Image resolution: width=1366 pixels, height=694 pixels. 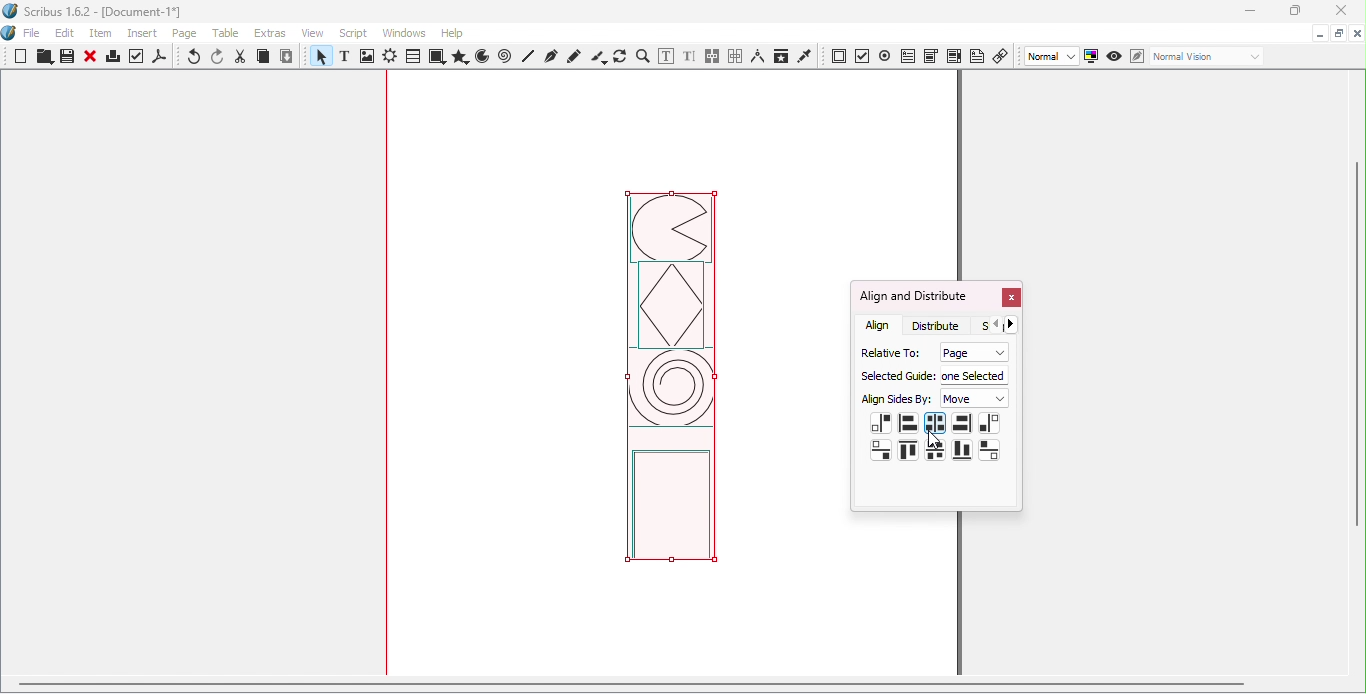 I want to click on Move, so click(x=976, y=399).